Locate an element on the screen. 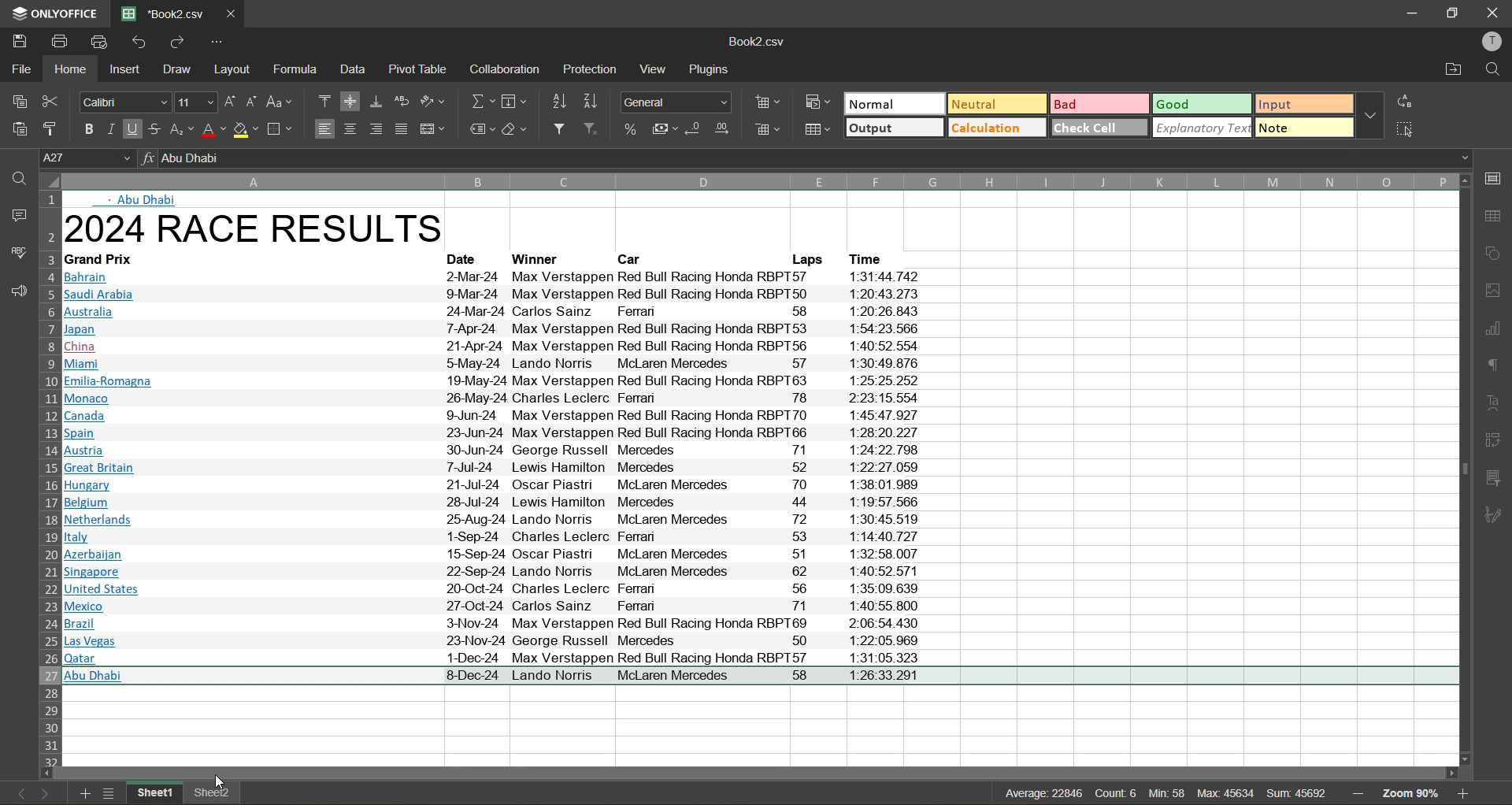 The width and height of the screenshot is (1512, 805). text info is located at coordinates (504, 399).